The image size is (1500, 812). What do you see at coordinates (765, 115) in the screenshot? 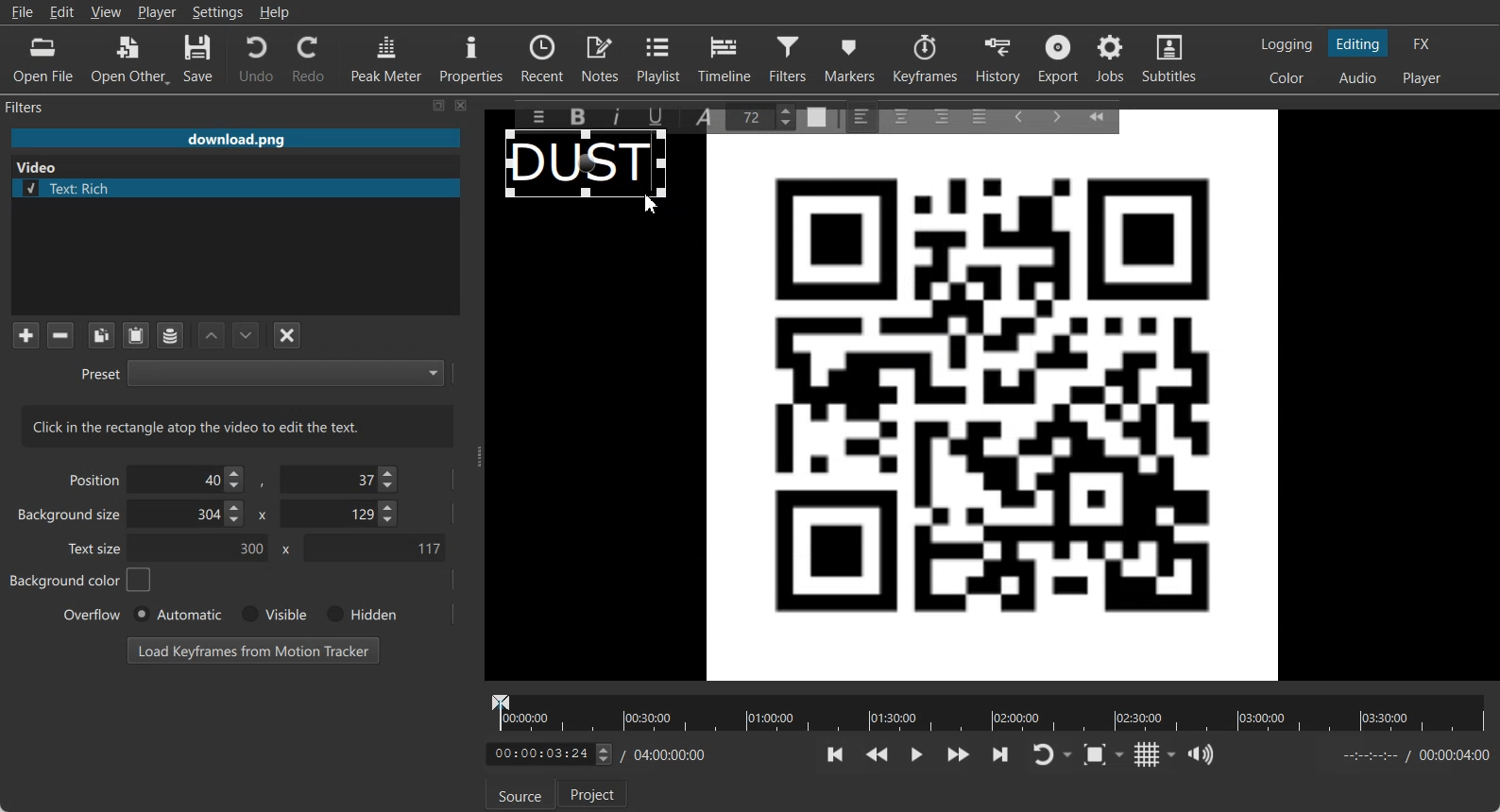
I see `Text Size` at bounding box center [765, 115].